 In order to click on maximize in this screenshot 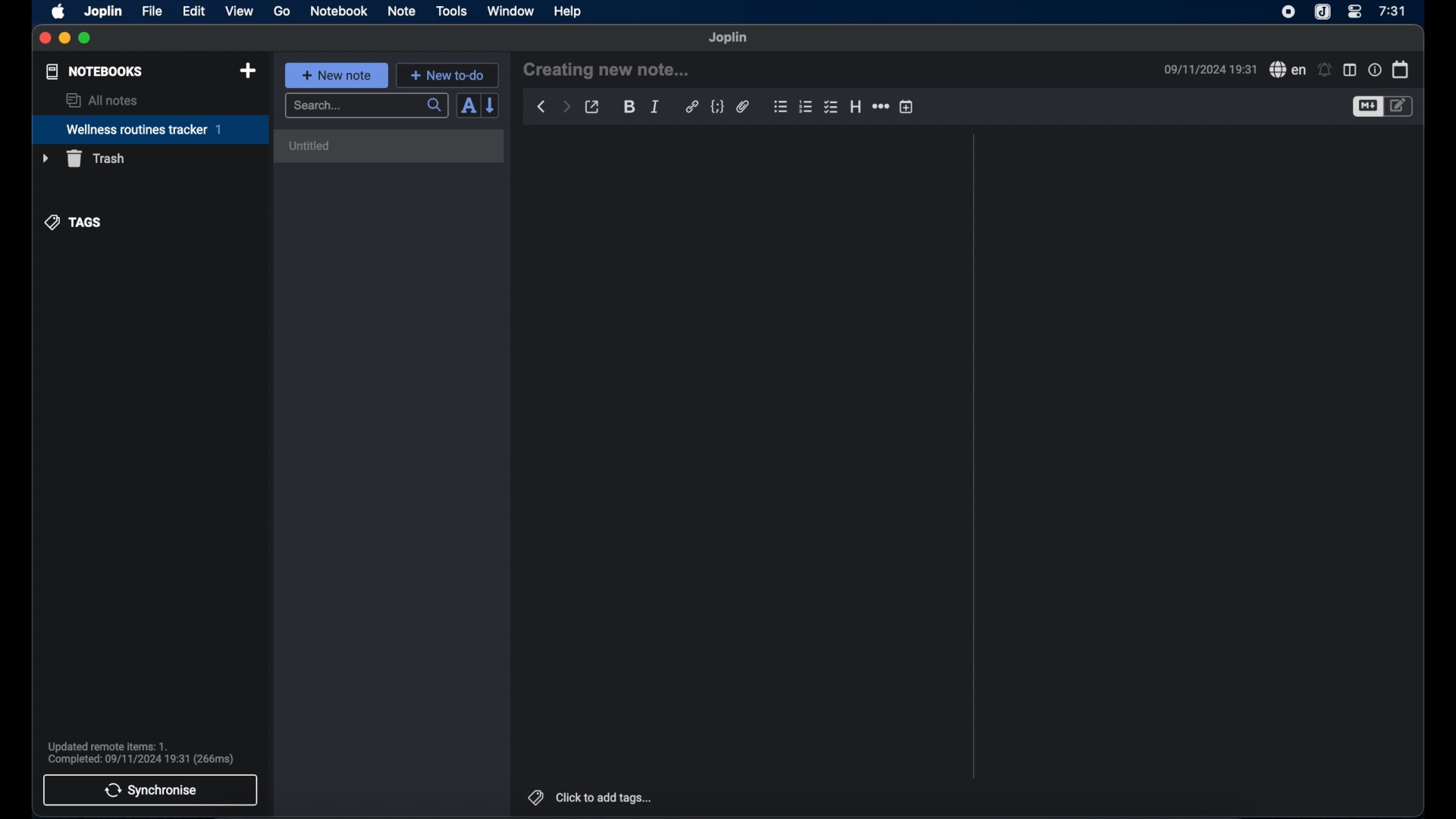, I will do `click(86, 39)`.